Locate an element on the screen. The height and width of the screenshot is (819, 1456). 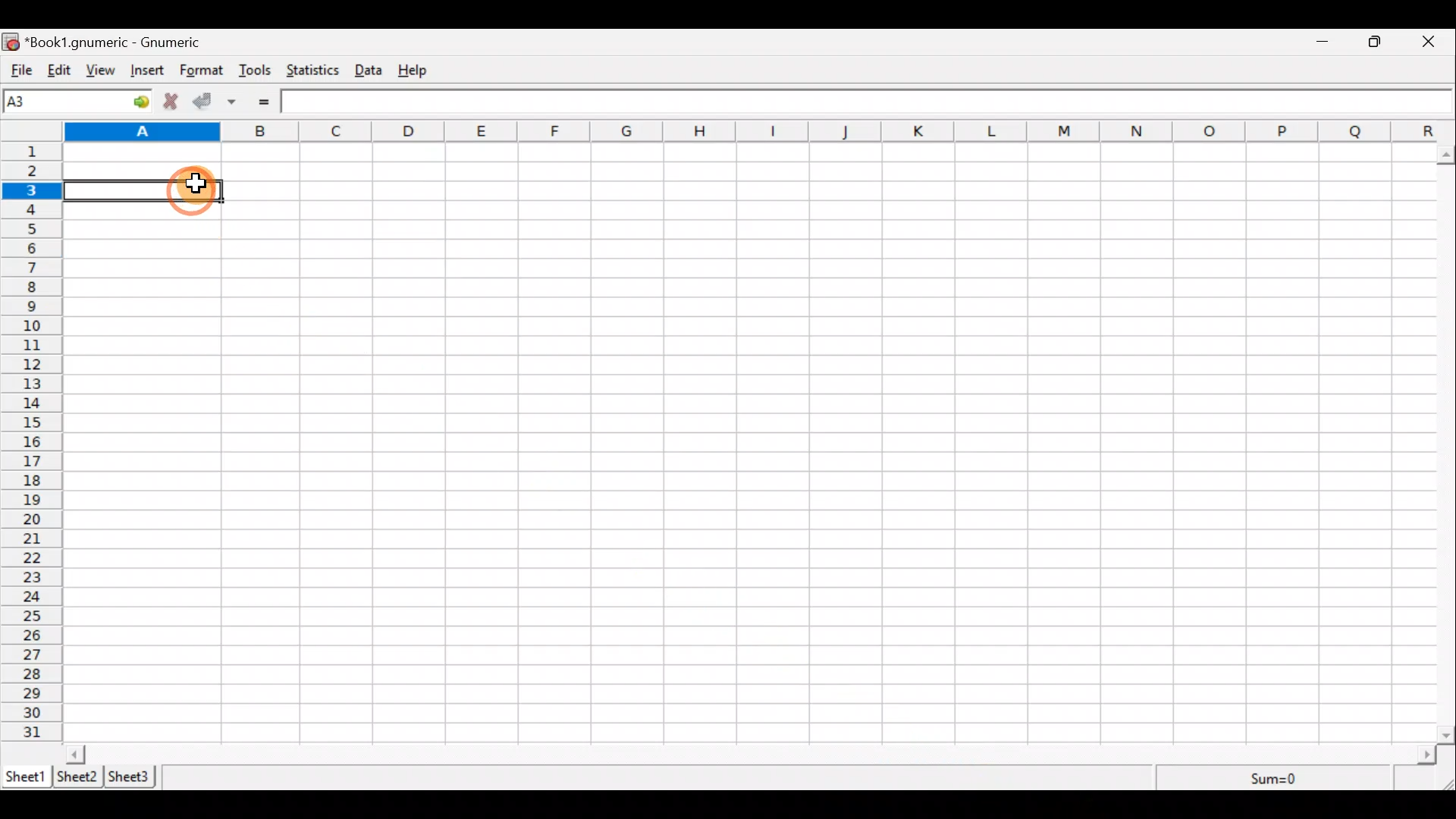
Maximize/Minimize is located at coordinates (1374, 45).